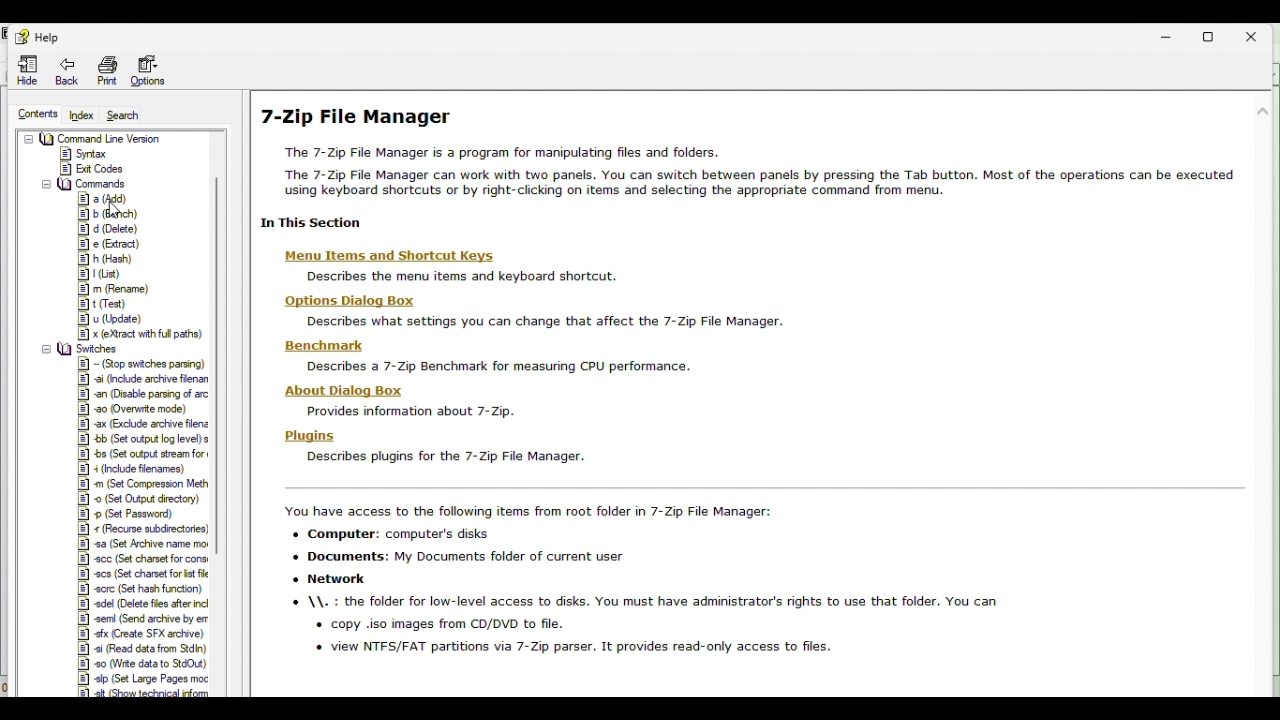 The width and height of the screenshot is (1280, 720). What do you see at coordinates (1250, 39) in the screenshot?
I see `Close` at bounding box center [1250, 39].